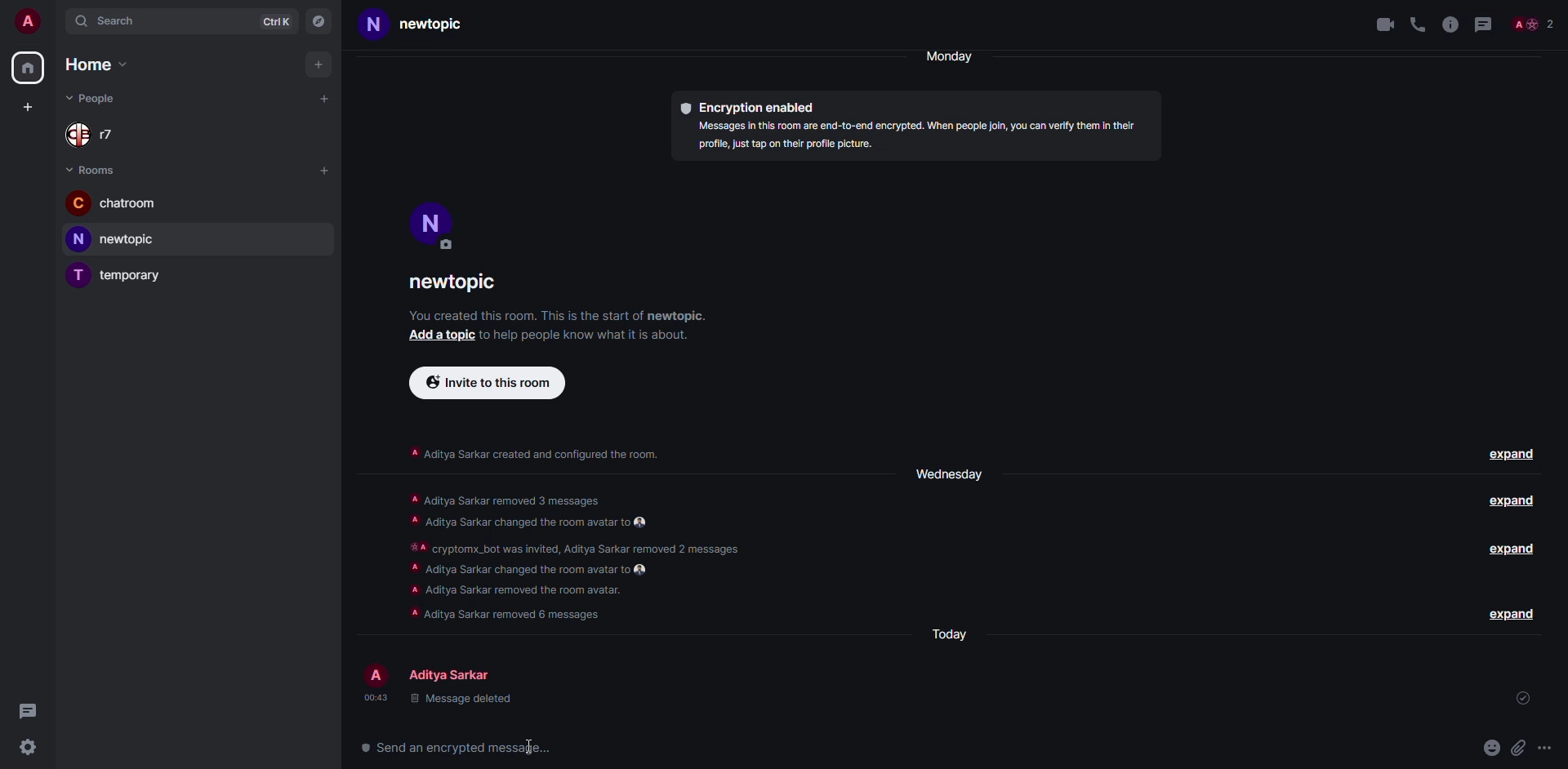 The height and width of the screenshot is (769, 1568). Describe the element at coordinates (426, 24) in the screenshot. I see `room` at that location.